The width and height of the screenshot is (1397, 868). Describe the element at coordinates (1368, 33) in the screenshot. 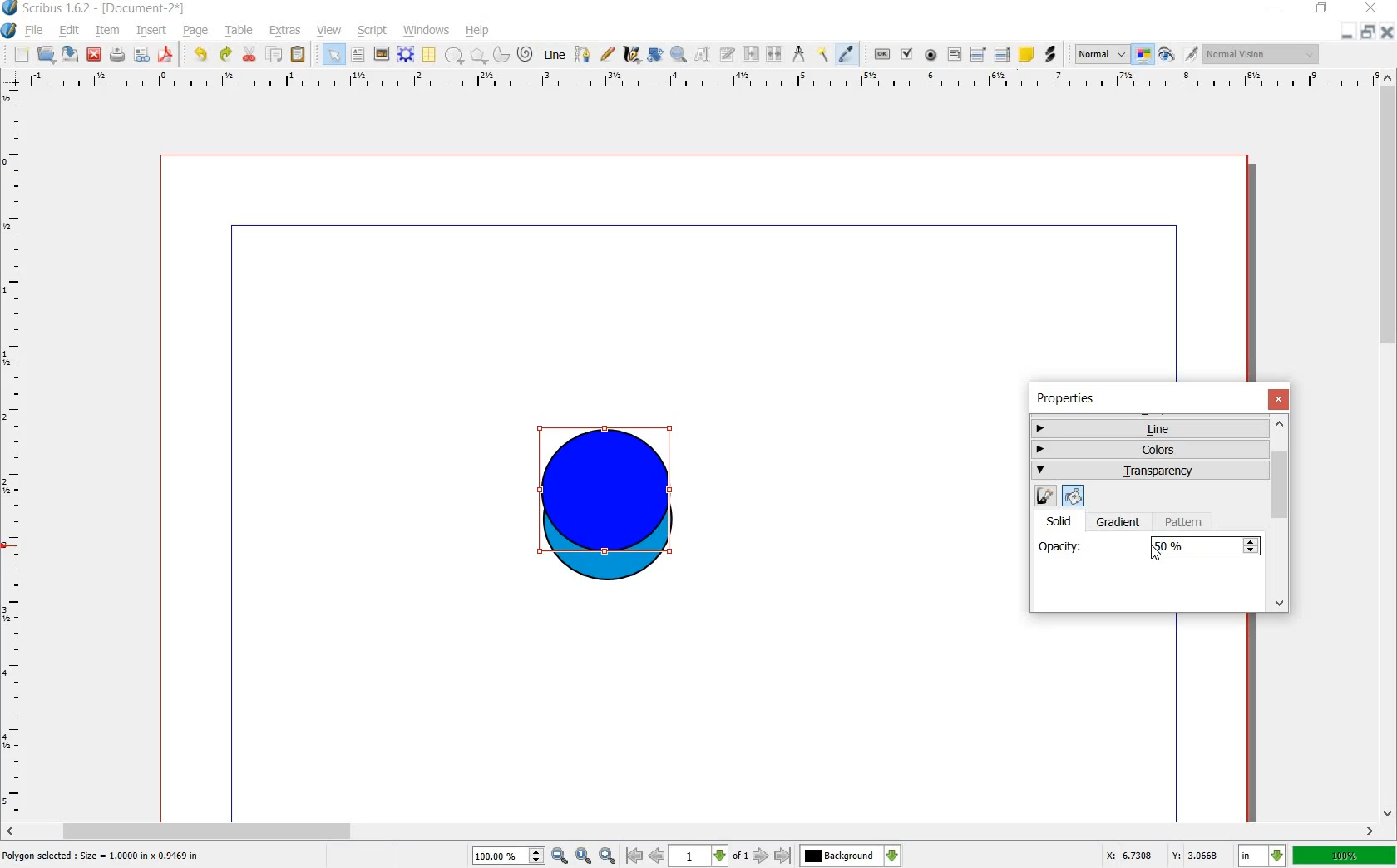

I see `restore` at that location.